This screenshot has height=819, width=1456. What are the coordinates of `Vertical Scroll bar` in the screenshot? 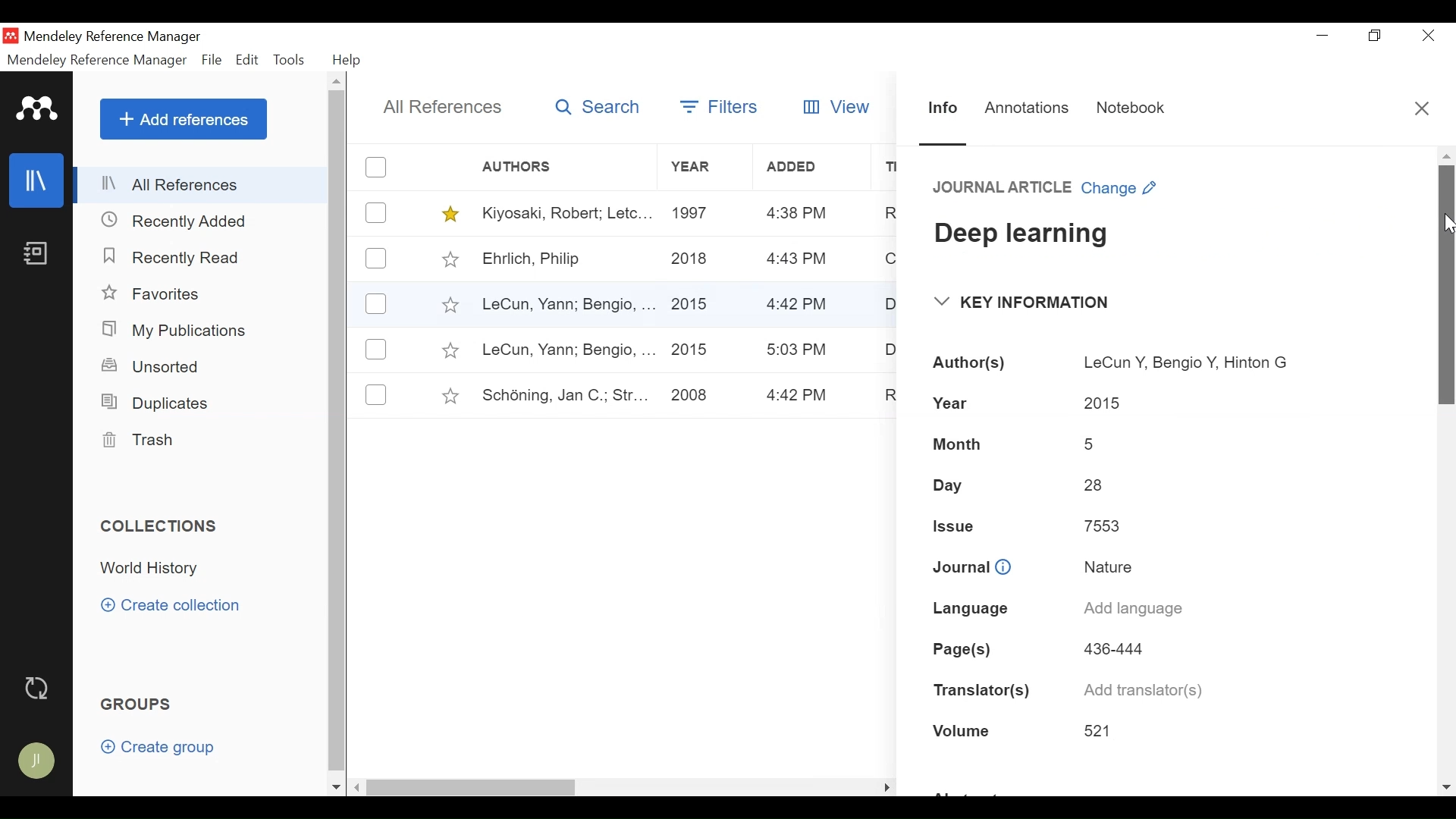 It's located at (1447, 286).